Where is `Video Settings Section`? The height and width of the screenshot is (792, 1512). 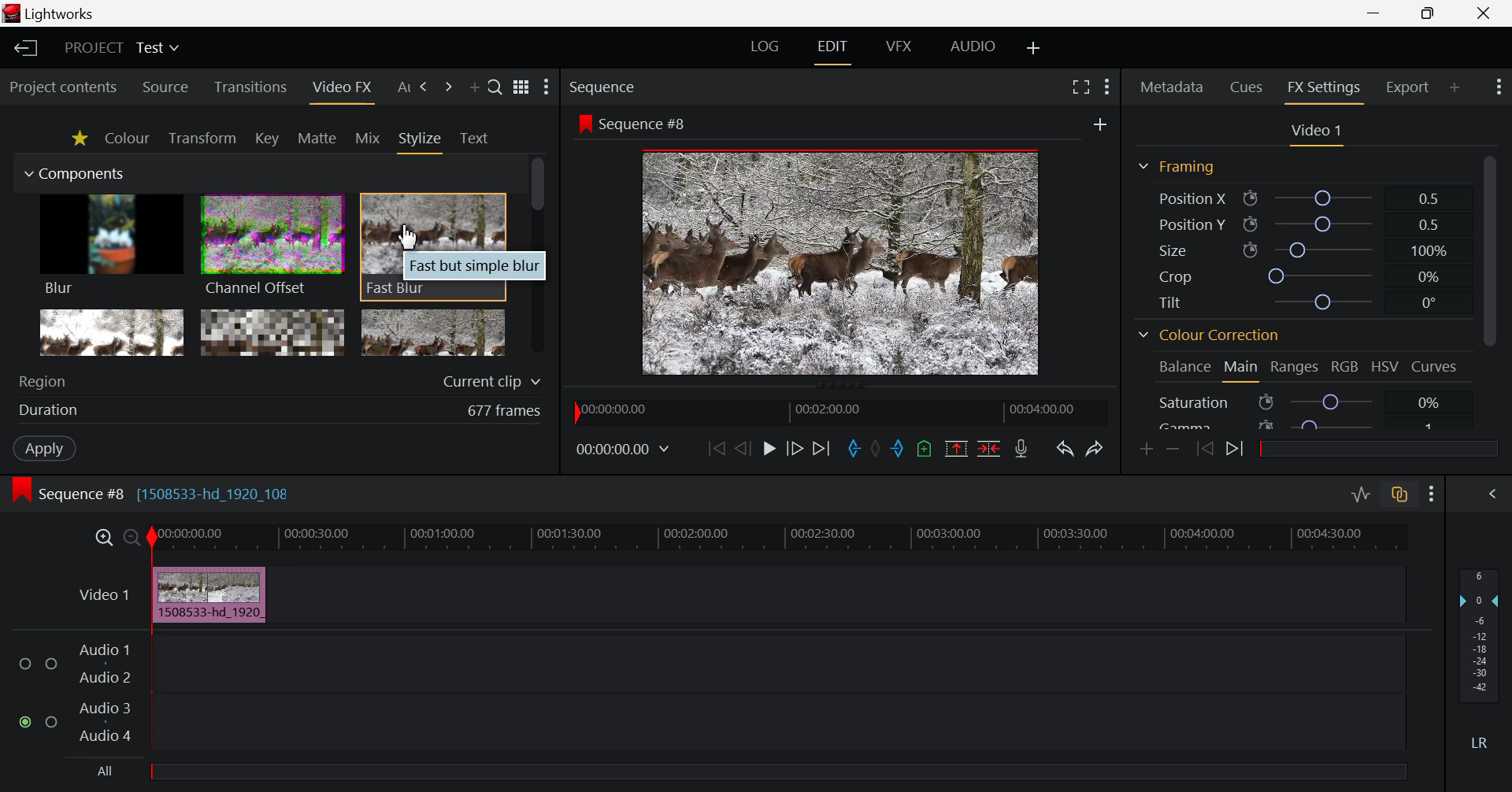 Video Settings Section is located at coordinates (1315, 132).